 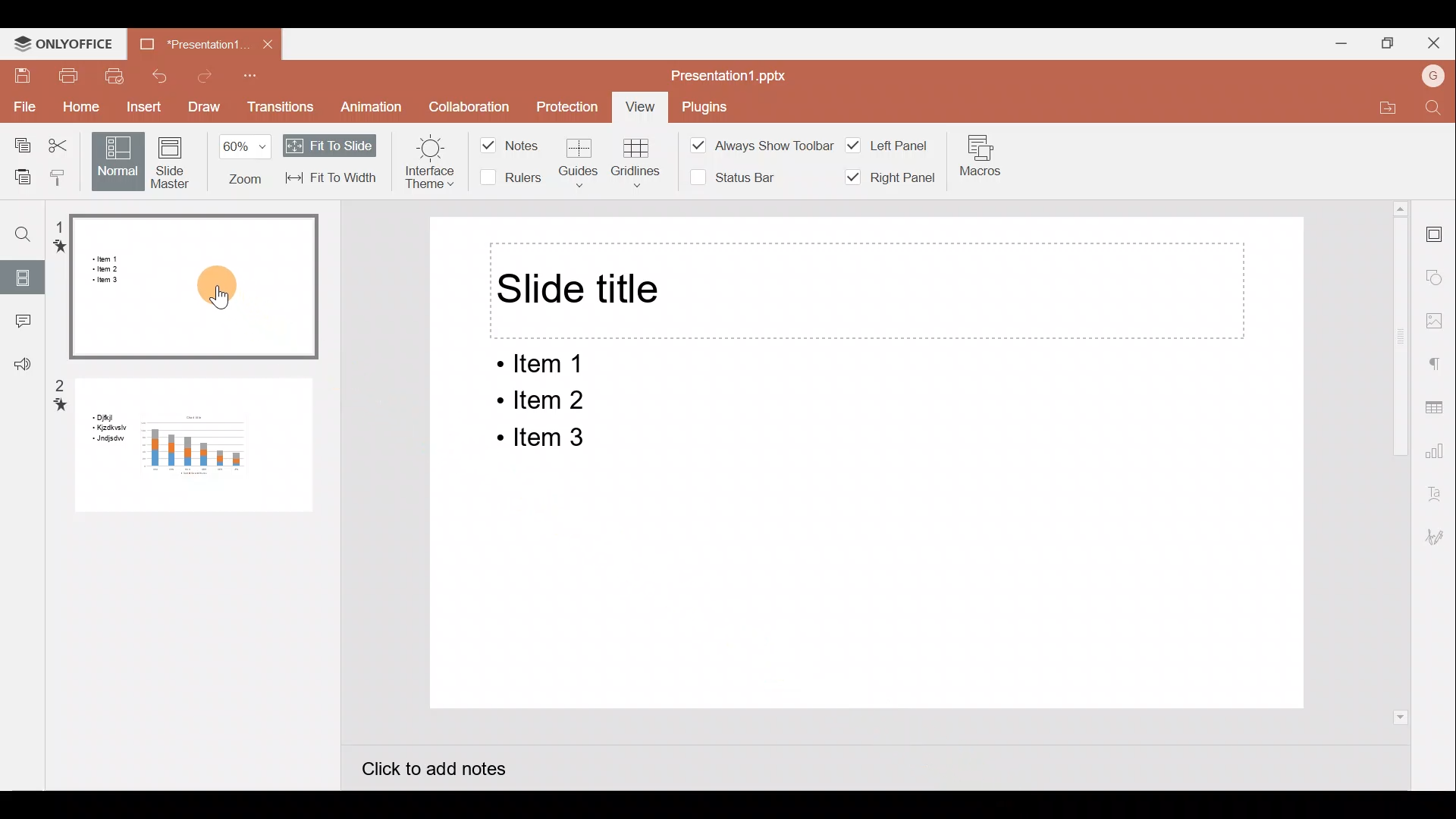 I want to click on View, so click(x=643, y=105).